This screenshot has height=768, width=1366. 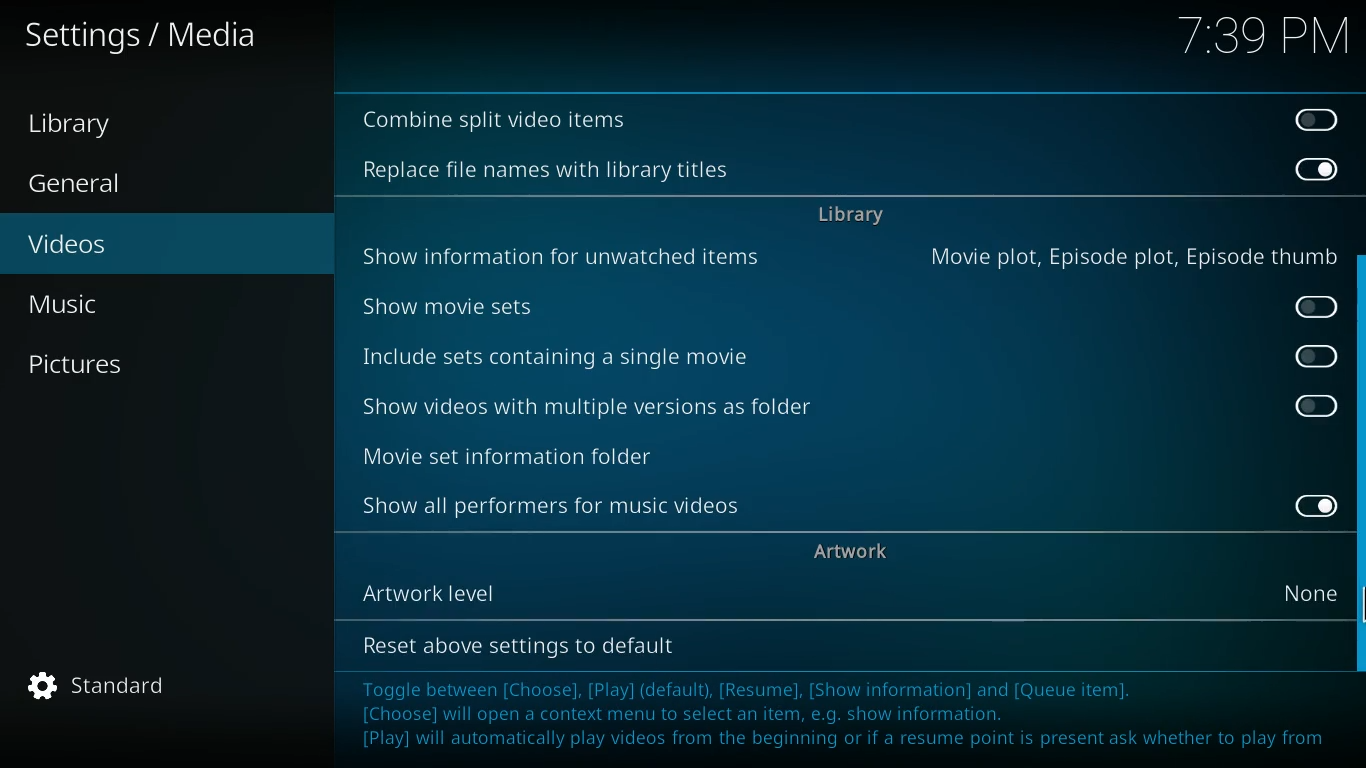 I want to click on combine split video items, so click(x=498, y=121).